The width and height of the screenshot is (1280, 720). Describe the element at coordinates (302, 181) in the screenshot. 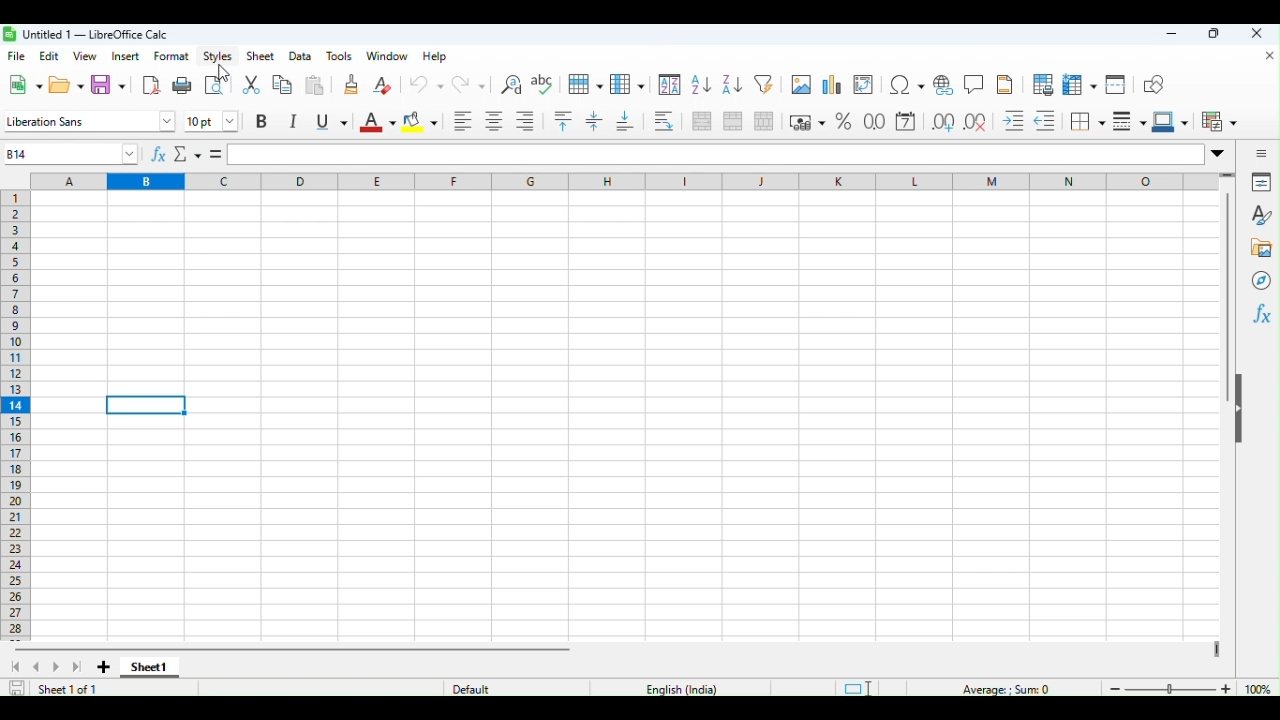

I see `d` at that location.